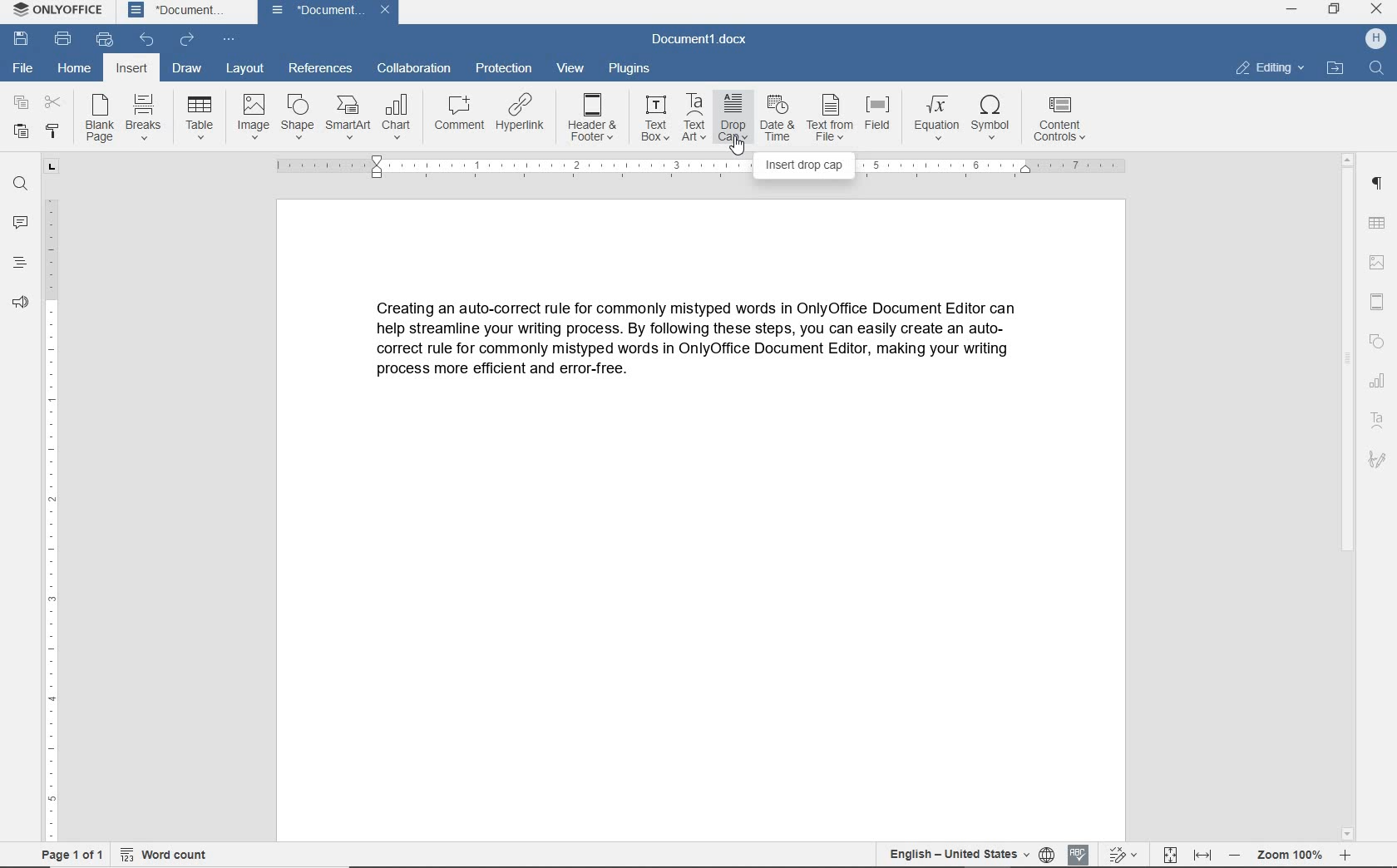 The width and height of the screenshot is (1397, 868). I want to click on word count, so click(170, 856).